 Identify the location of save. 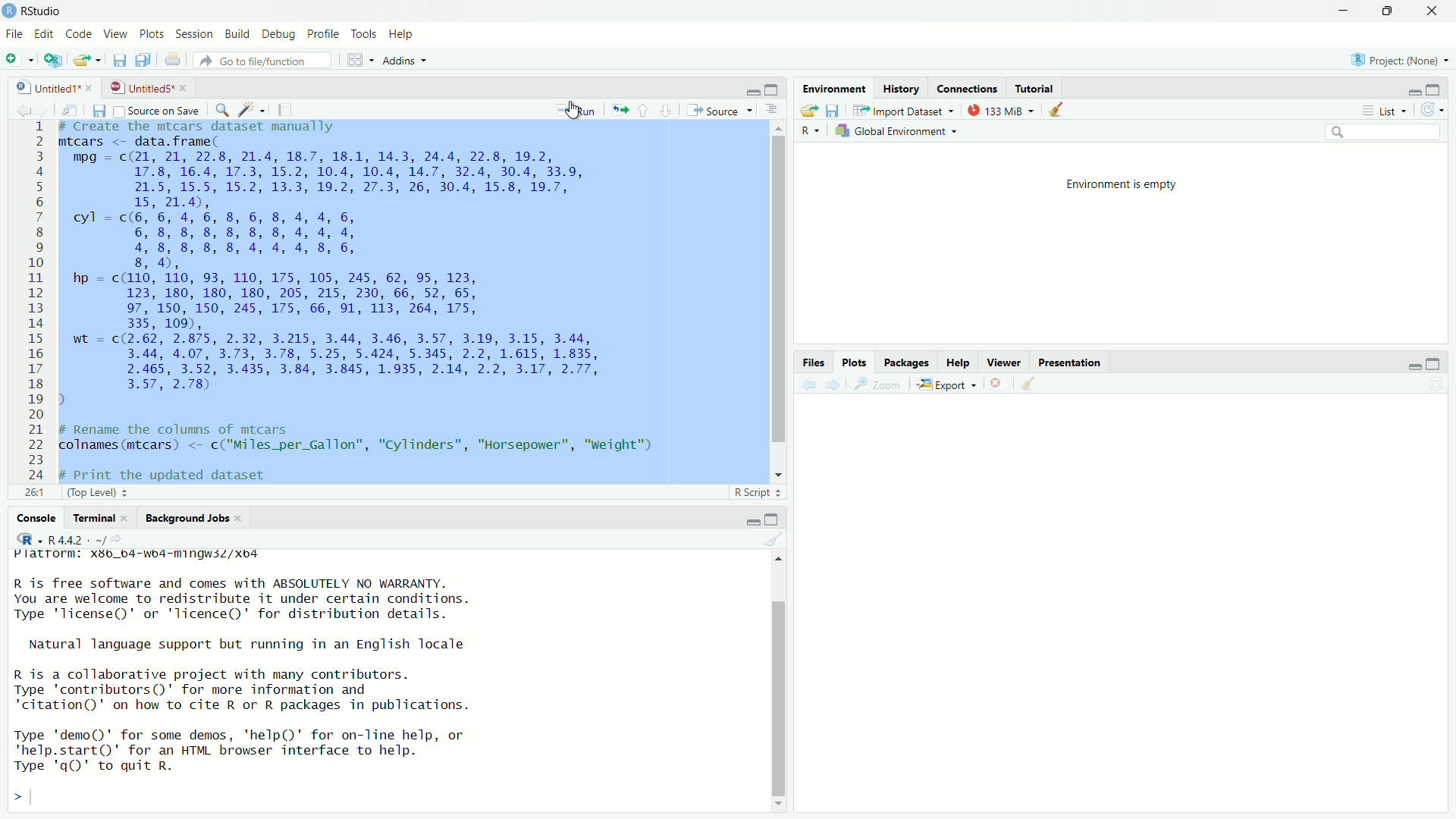
(98, 109).